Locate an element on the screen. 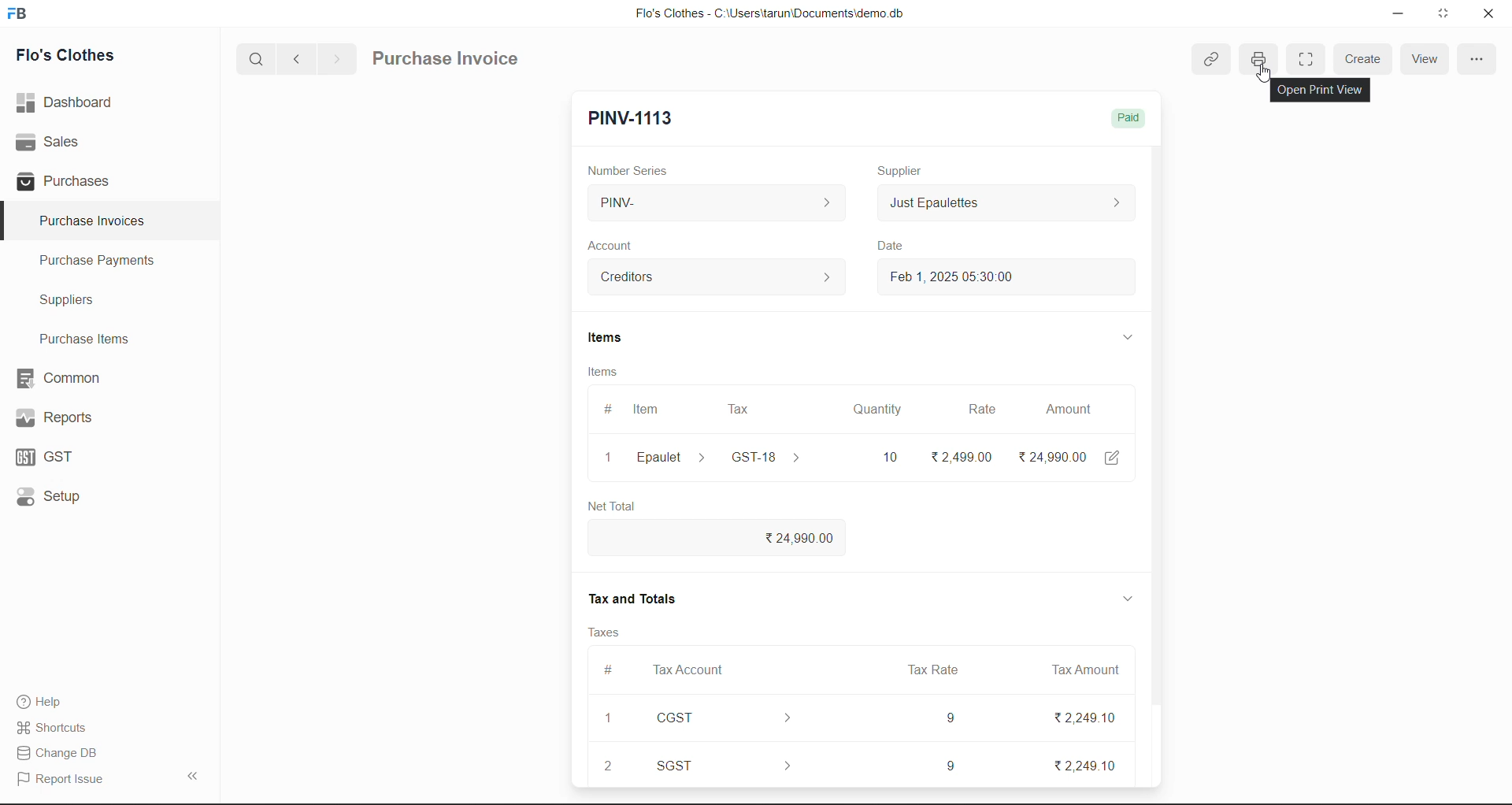 The width and height of the screenshot is (1512, 805). Shortcuts. is located at coordinates (57, 726).